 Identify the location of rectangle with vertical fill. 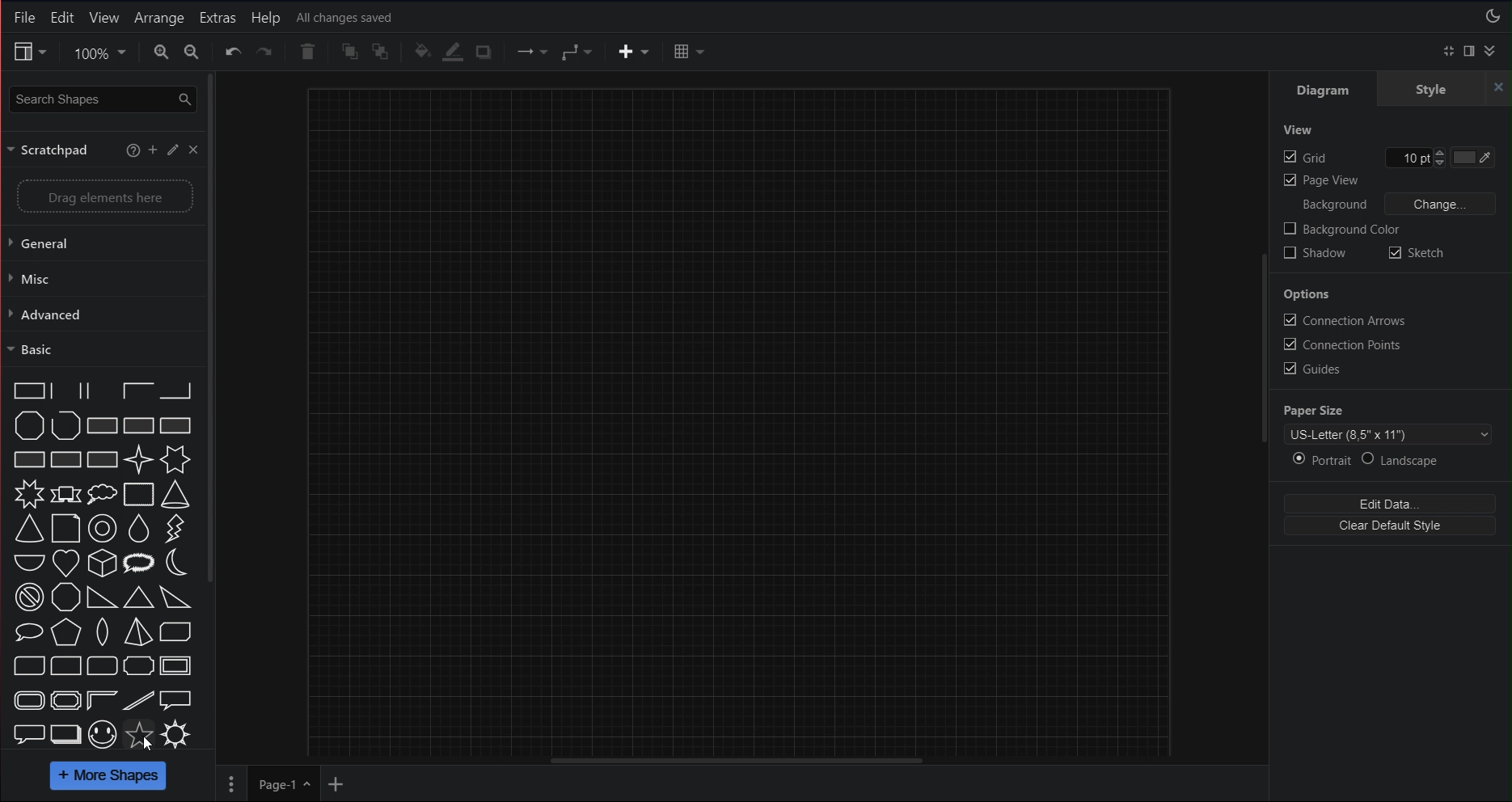
(177, 425).